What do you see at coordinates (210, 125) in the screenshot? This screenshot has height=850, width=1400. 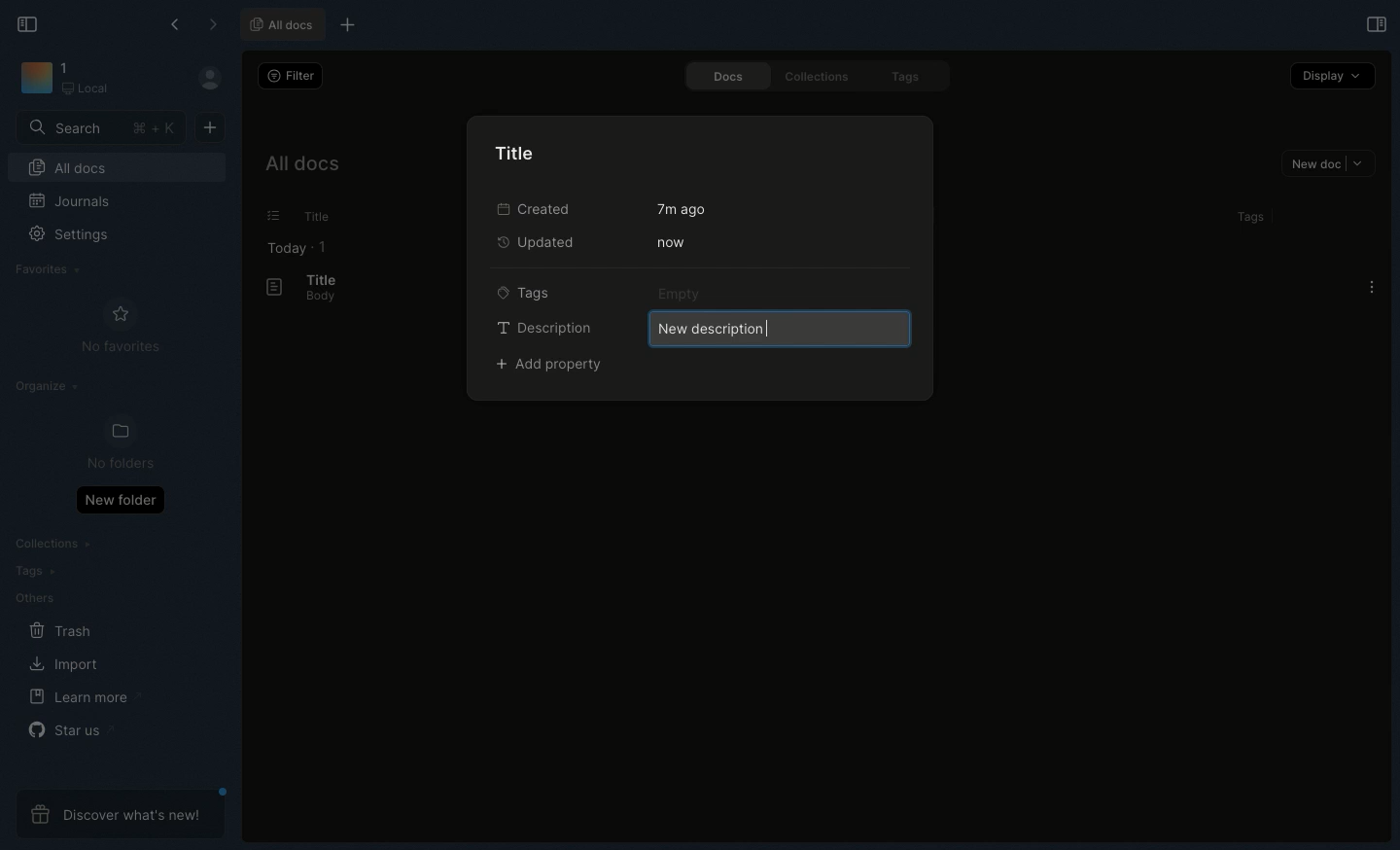 I see `New doc` at bounding box center [210, 125].